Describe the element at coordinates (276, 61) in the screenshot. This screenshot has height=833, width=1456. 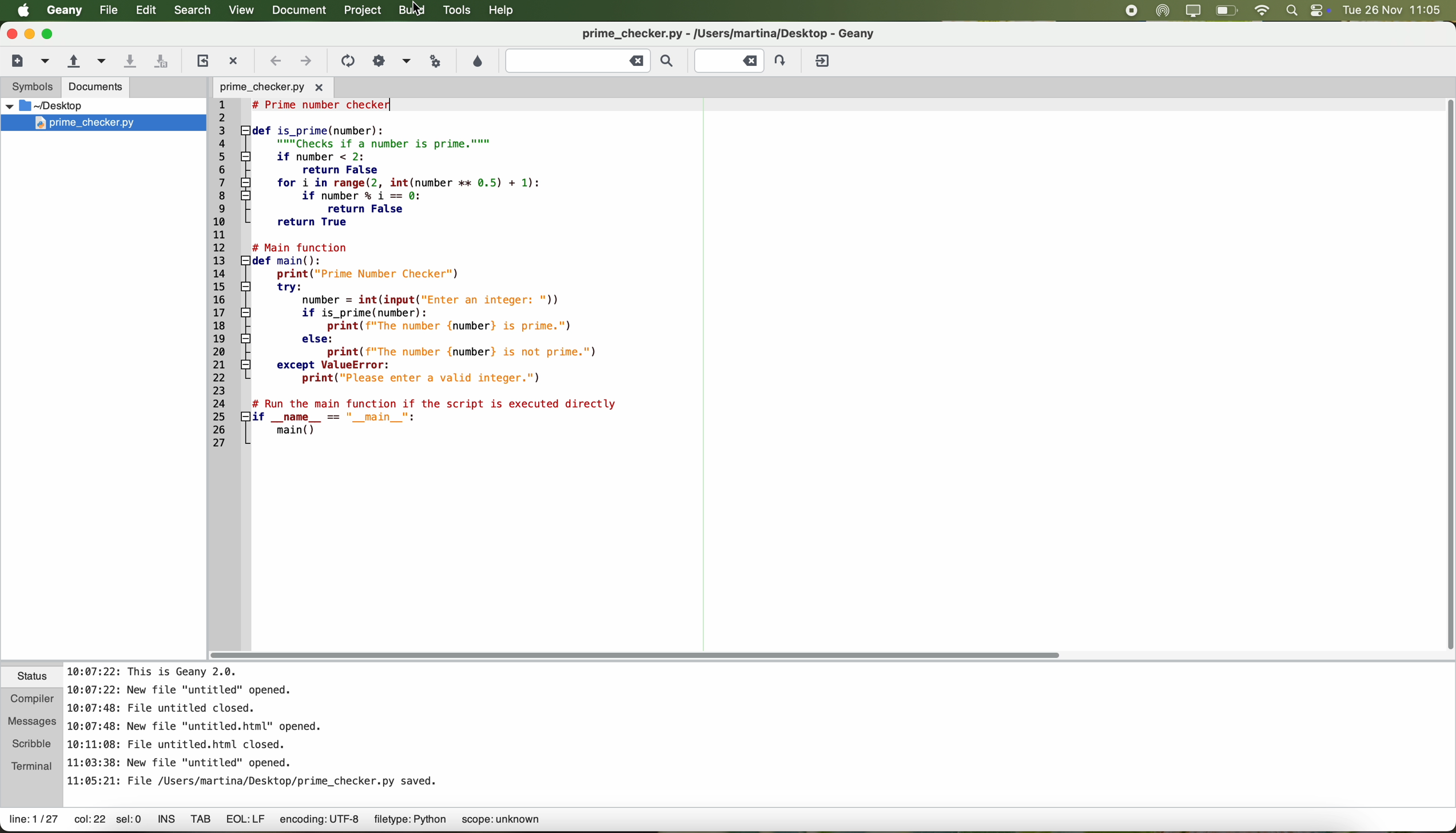
I see `navigate back` at that location.